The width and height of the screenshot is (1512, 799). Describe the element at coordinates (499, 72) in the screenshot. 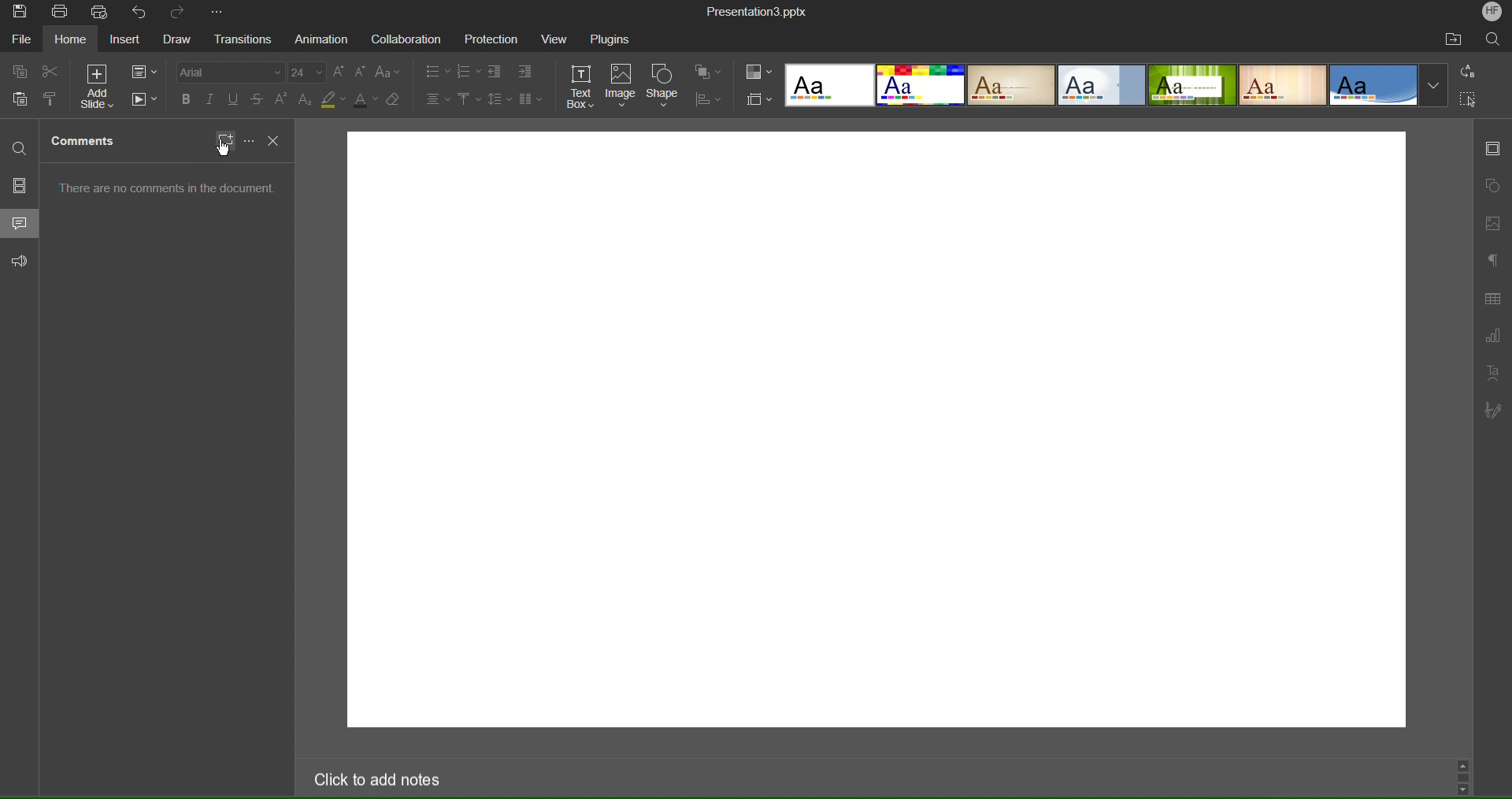

I see `Indent Options` at that location.